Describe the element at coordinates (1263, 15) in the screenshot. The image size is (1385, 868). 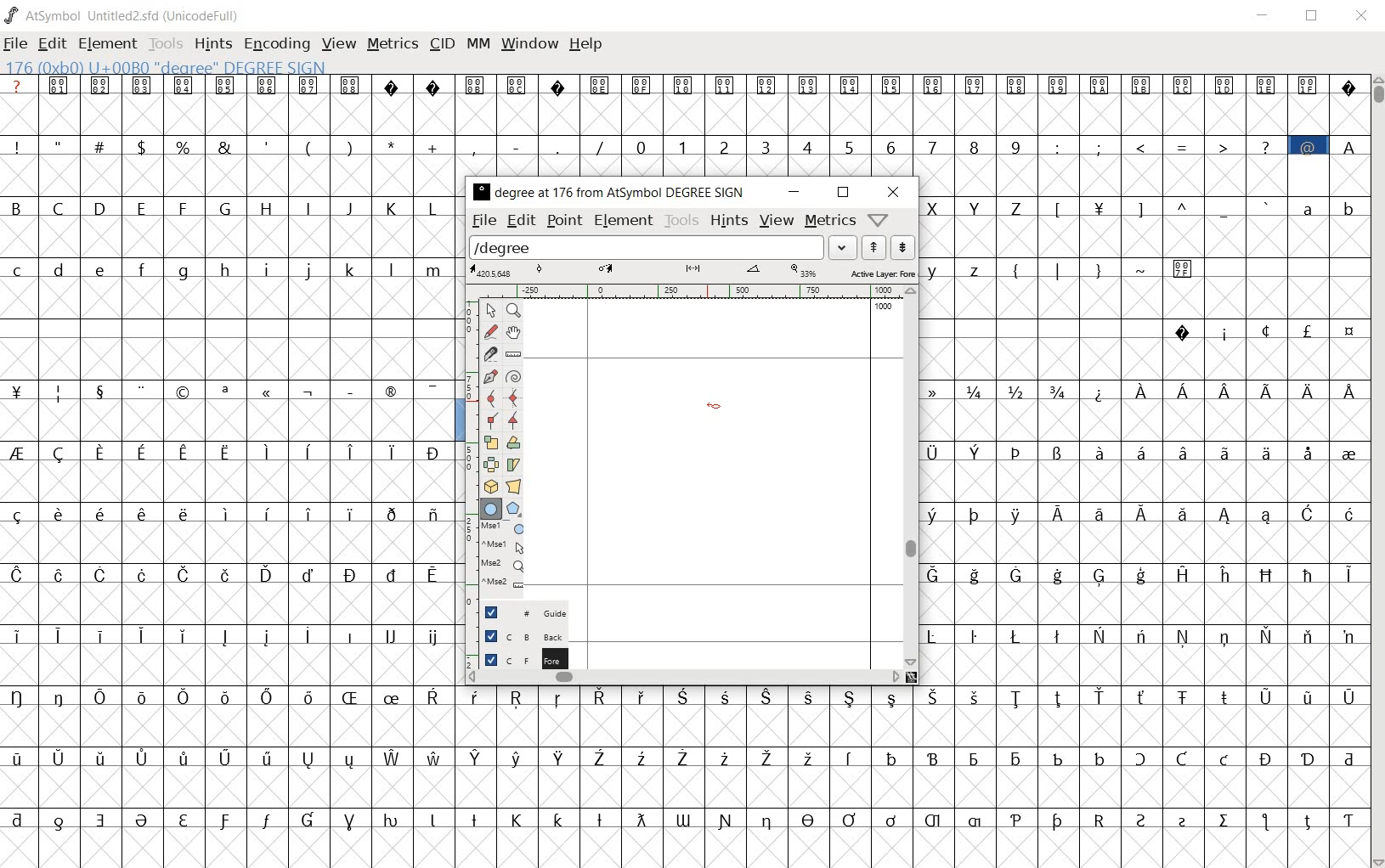
I see `minimize` at that location.